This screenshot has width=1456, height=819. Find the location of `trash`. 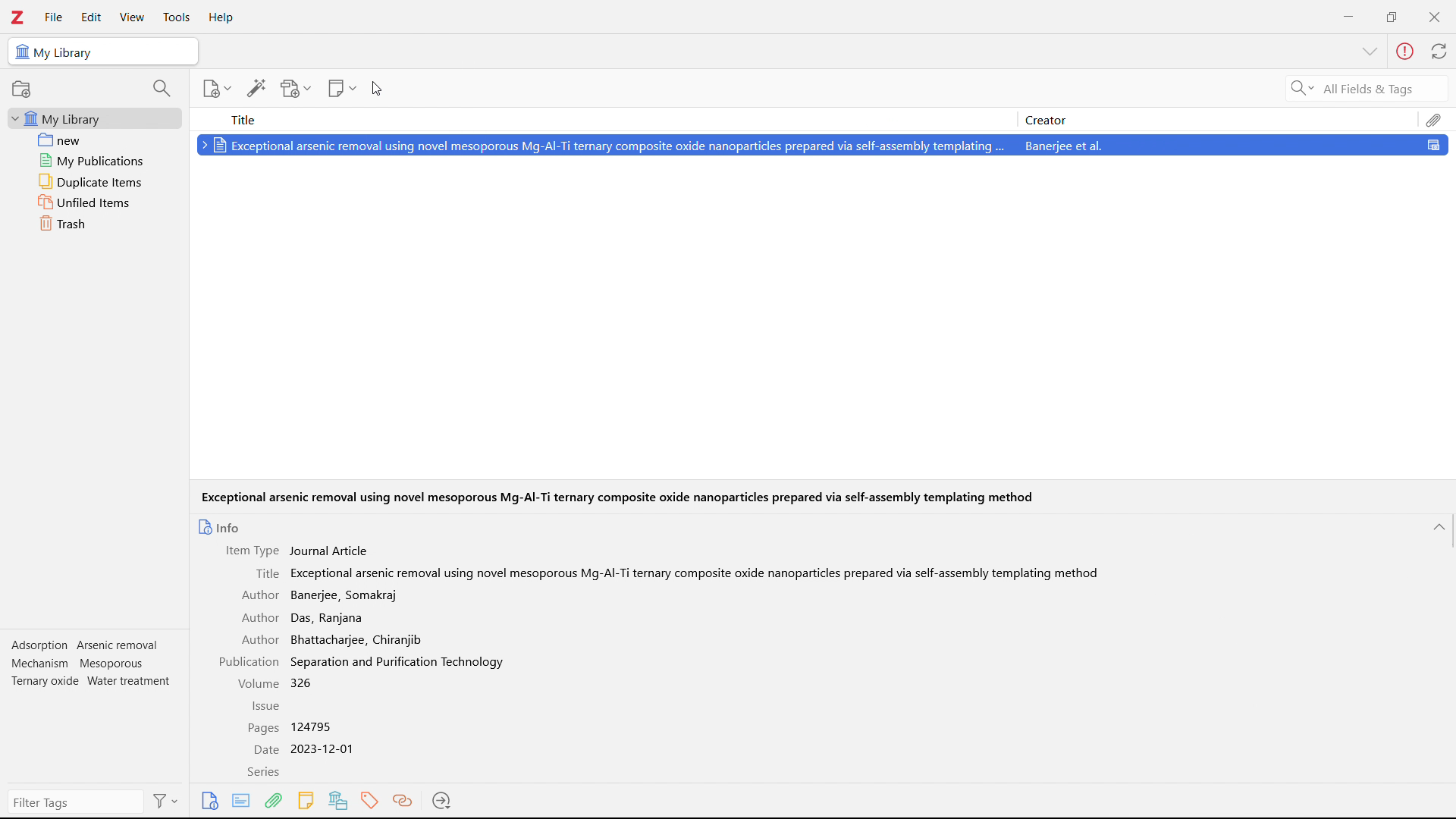

trash is located at coordinates (93, 224).